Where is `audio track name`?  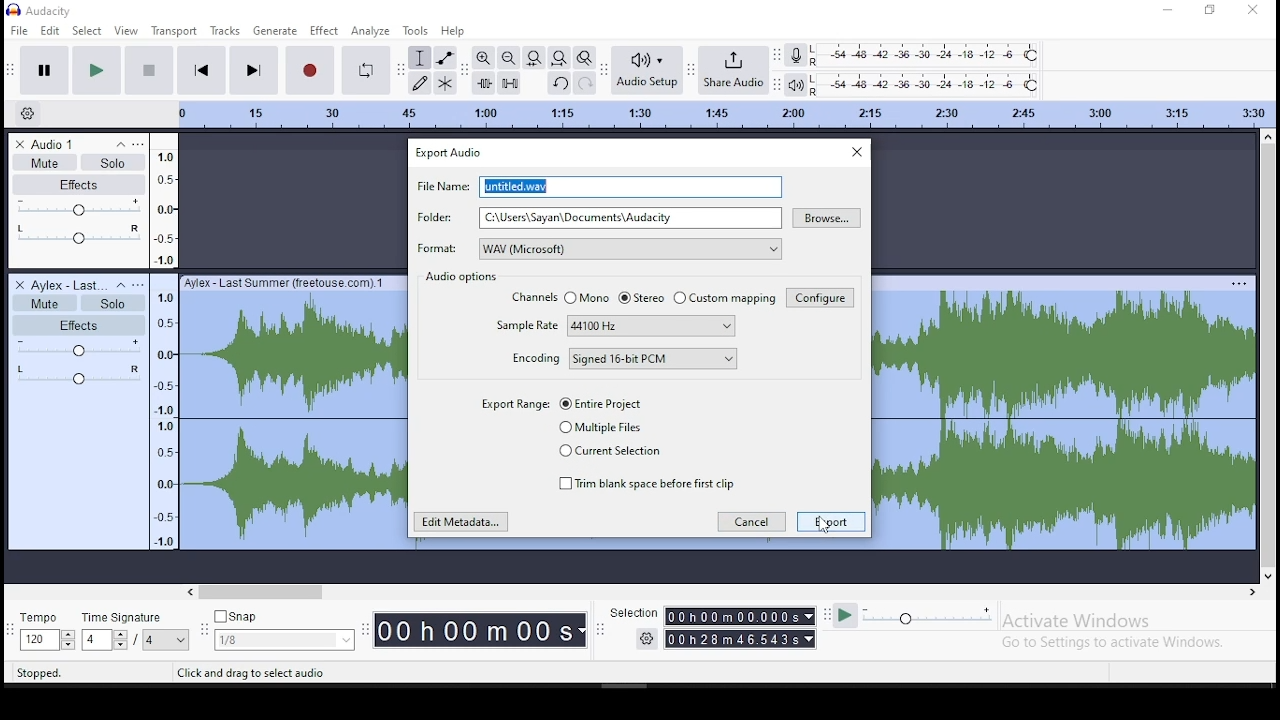
audio track name is located at coordinates (70, 144).